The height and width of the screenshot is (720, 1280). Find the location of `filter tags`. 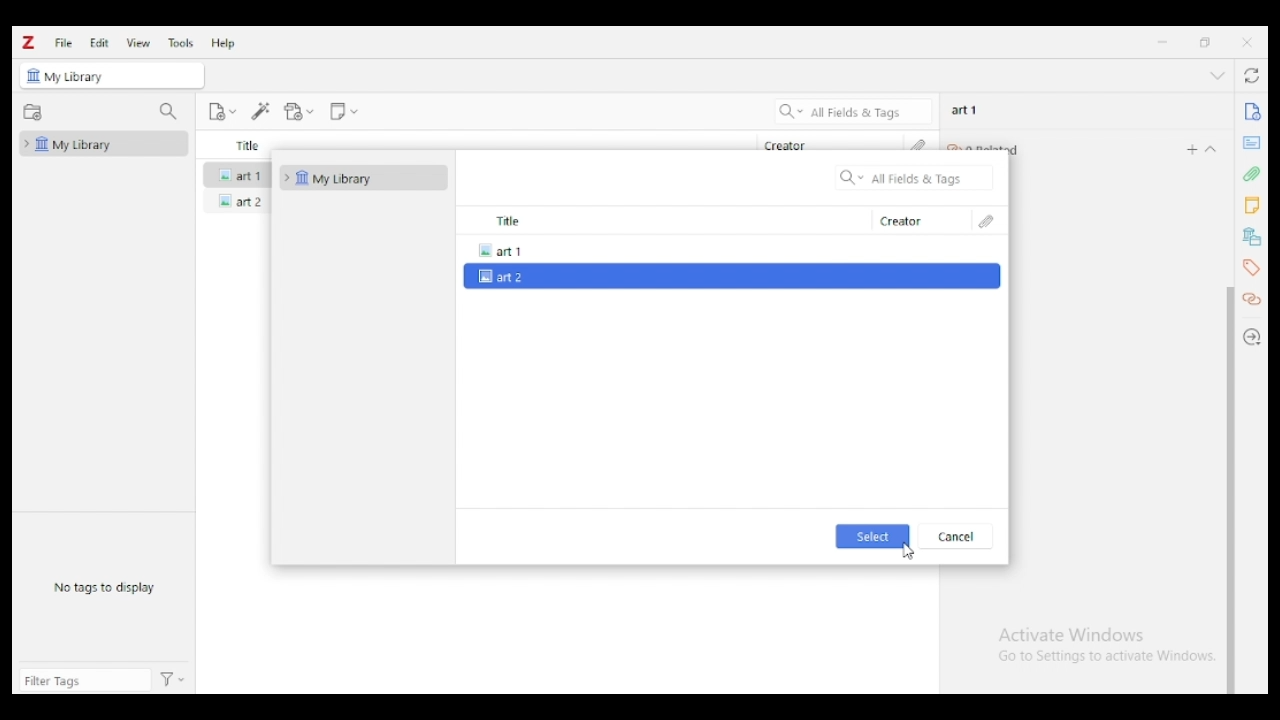

filter tags is located at coordinates (85, 680).